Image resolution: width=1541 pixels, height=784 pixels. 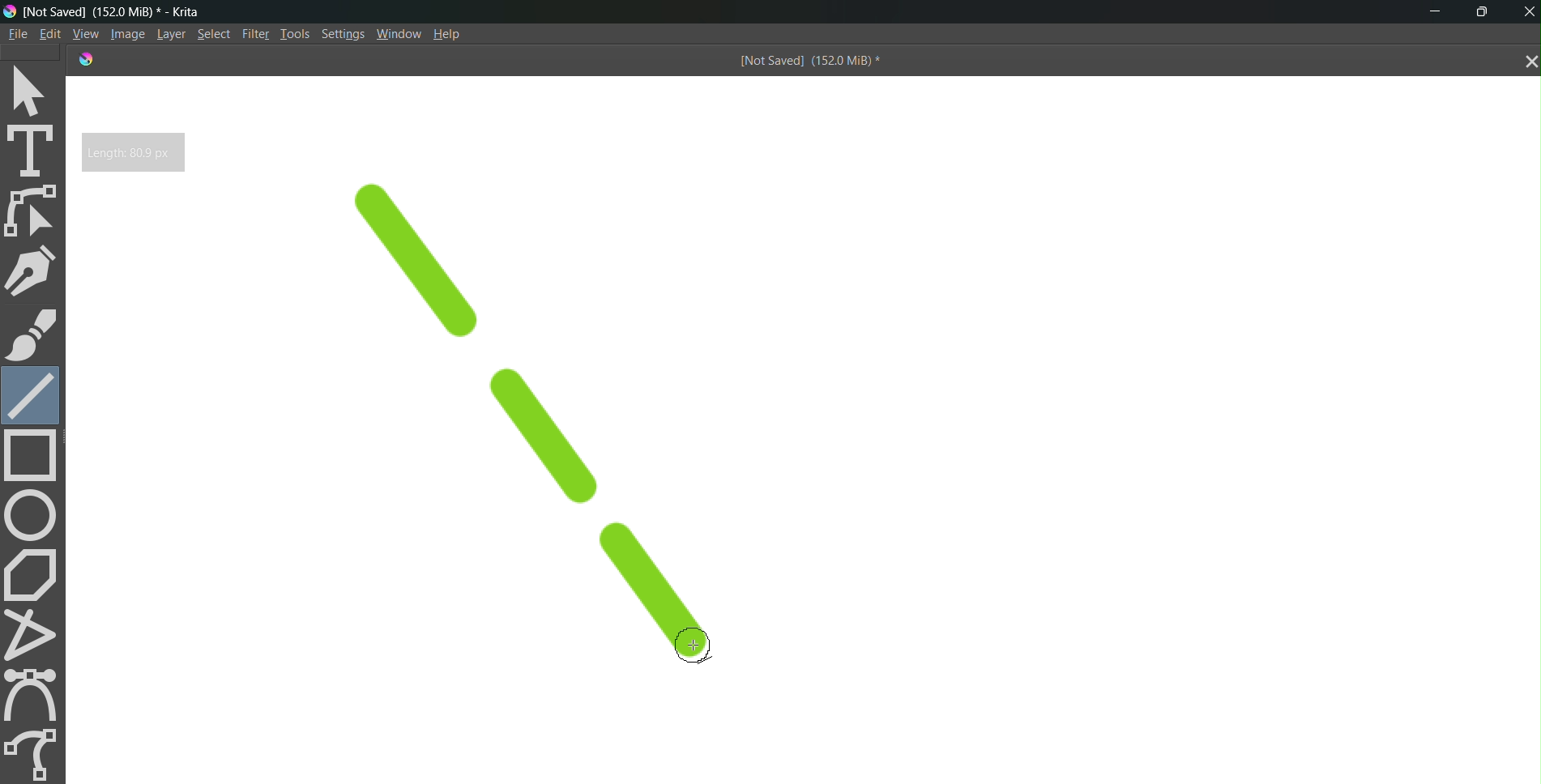 What do you see at coordinates (35, 271) in the screenshot?
I see `pen` at bounding box center [35, 271].